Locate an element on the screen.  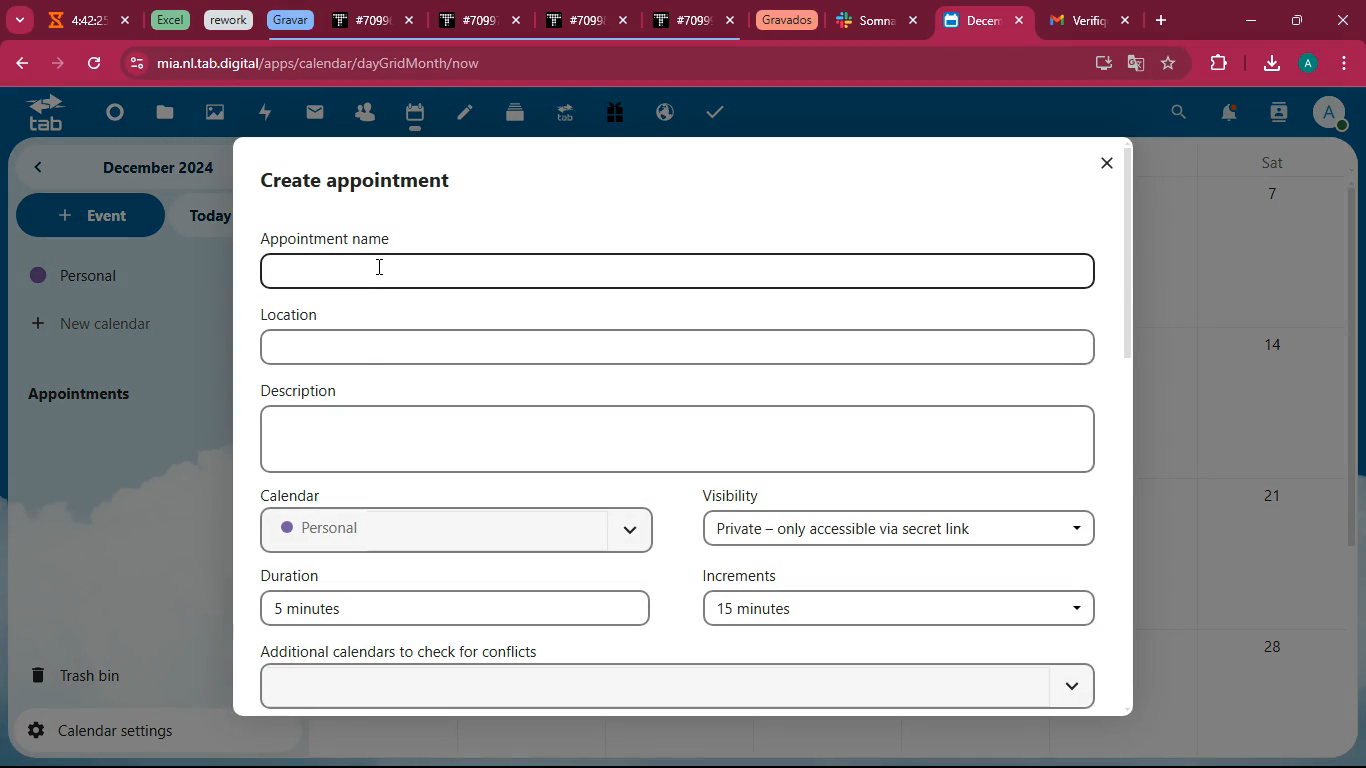
select is located at coordinates (683, 687).